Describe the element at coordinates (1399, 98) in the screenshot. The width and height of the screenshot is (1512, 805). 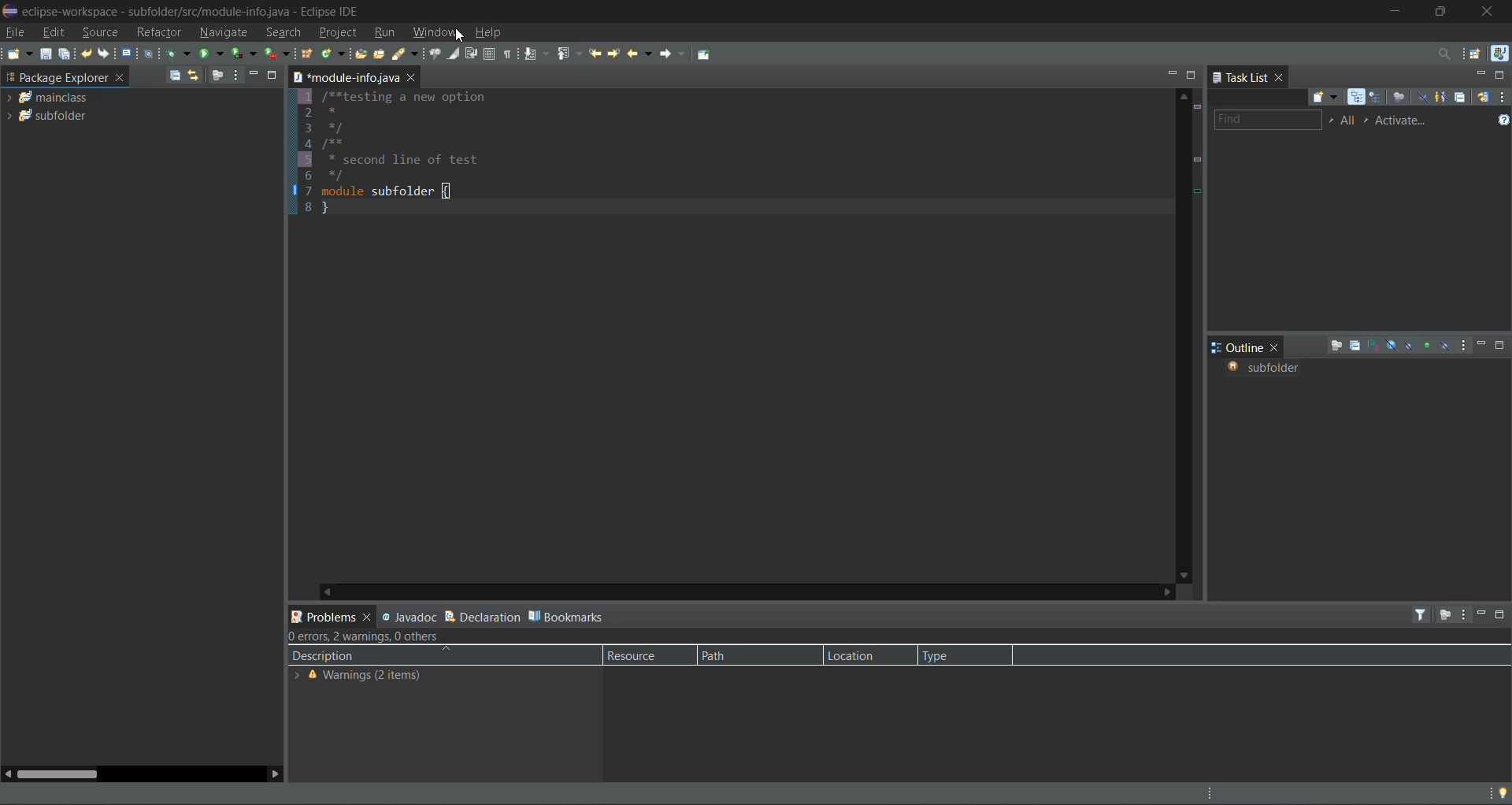
I see `focus on workweek` at that location.